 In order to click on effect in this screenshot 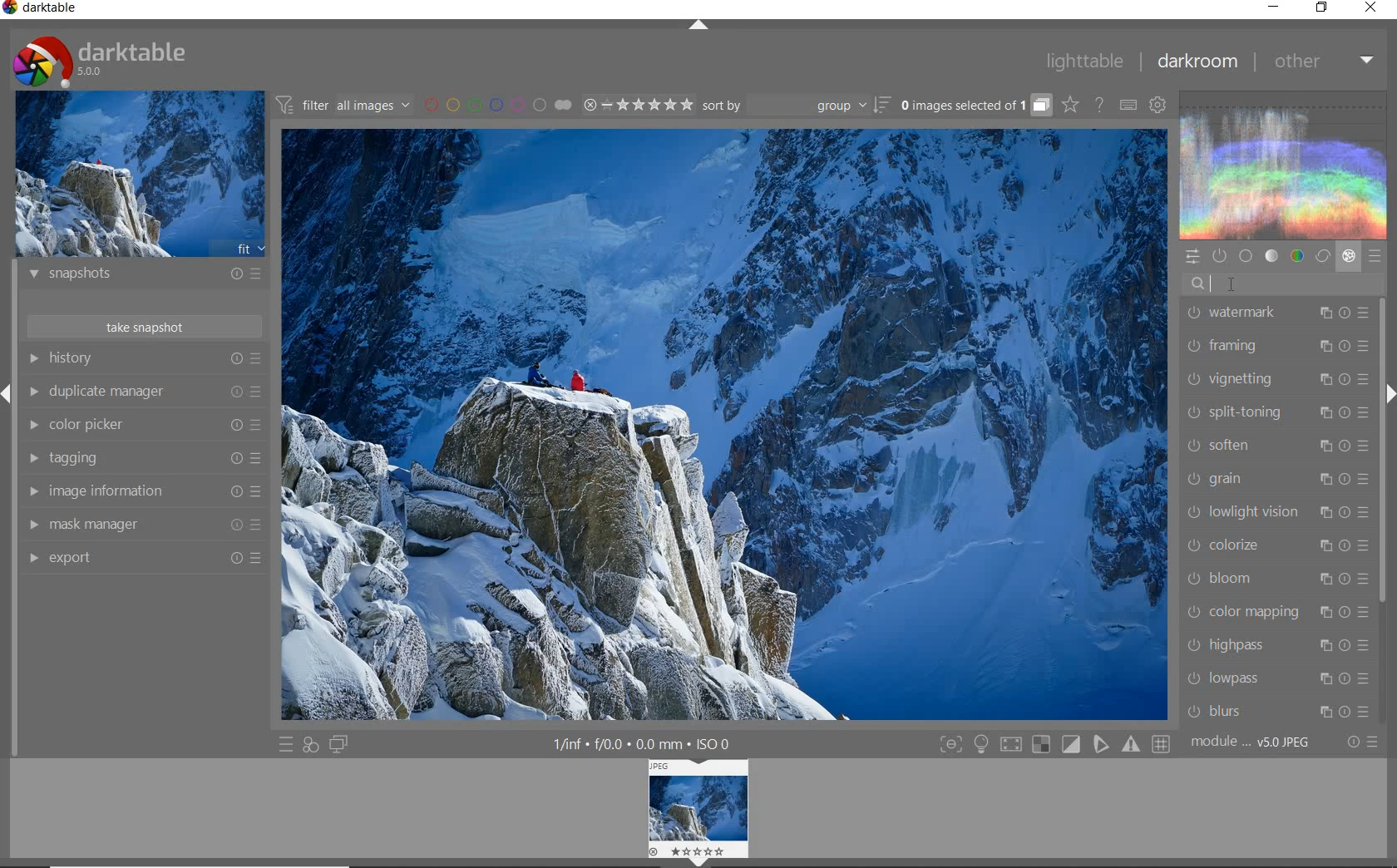, I will do `click(1348, 256)`.